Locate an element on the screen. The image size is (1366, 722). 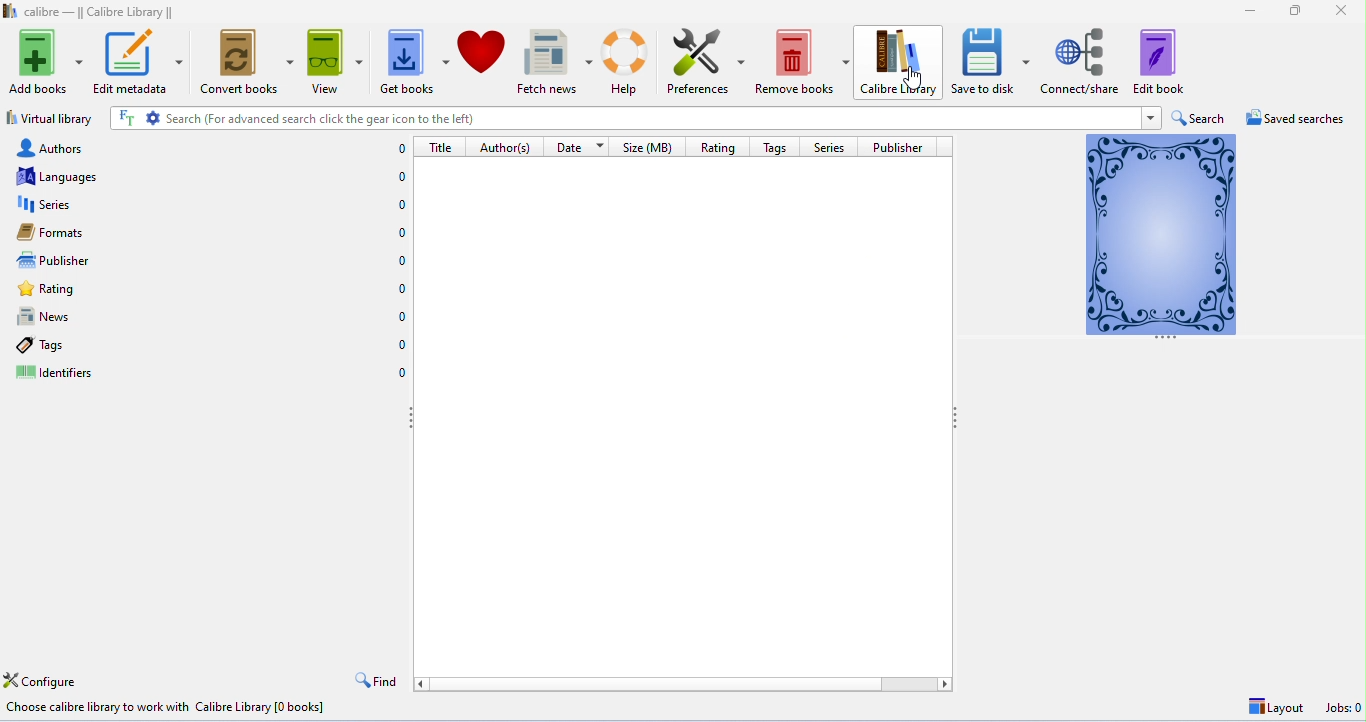
news is located at coordinates (211, 317).